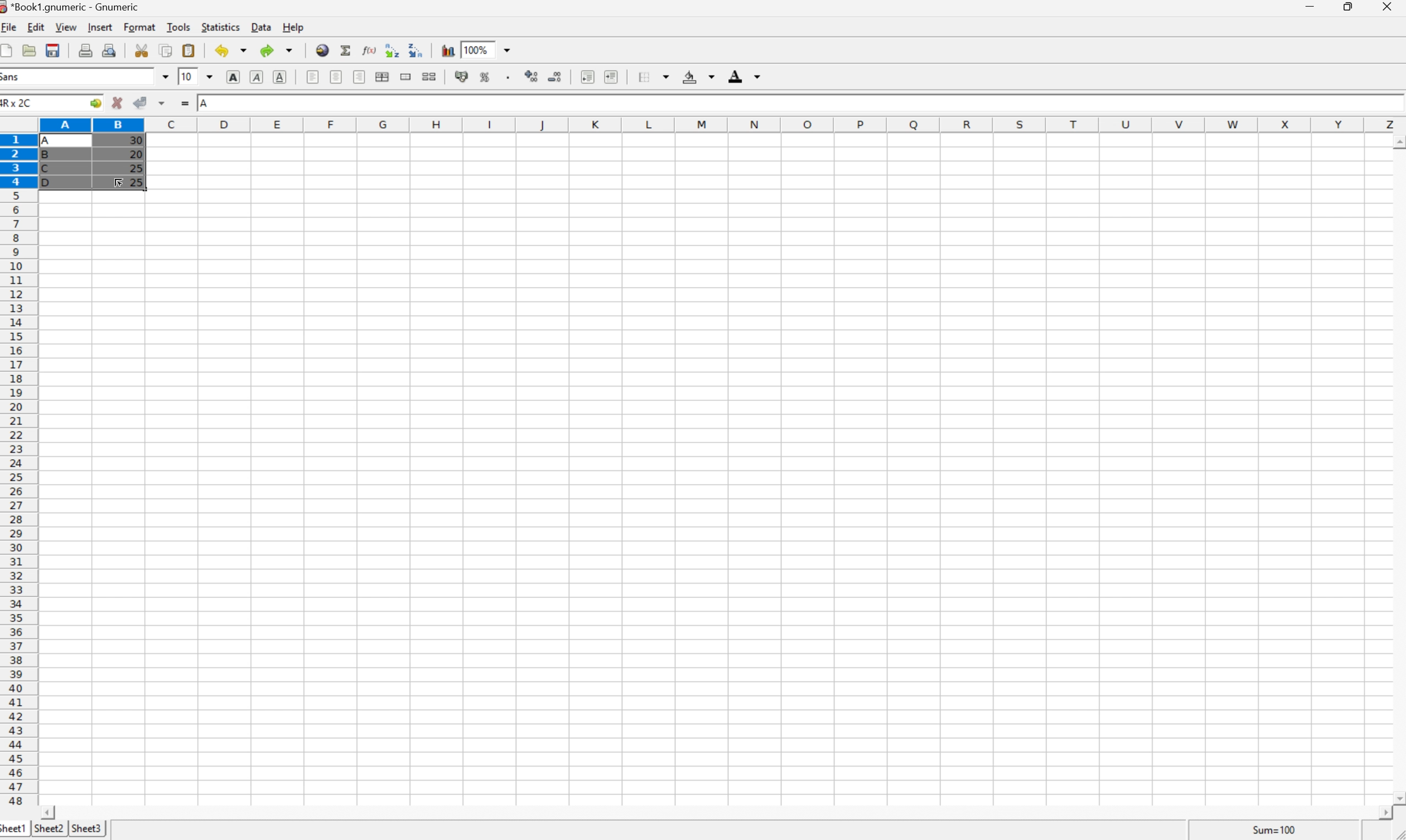  What do you see at coordinates (1310, 6) in the screenshot?
I see `Minimize` at bounding box center [1310, 6].